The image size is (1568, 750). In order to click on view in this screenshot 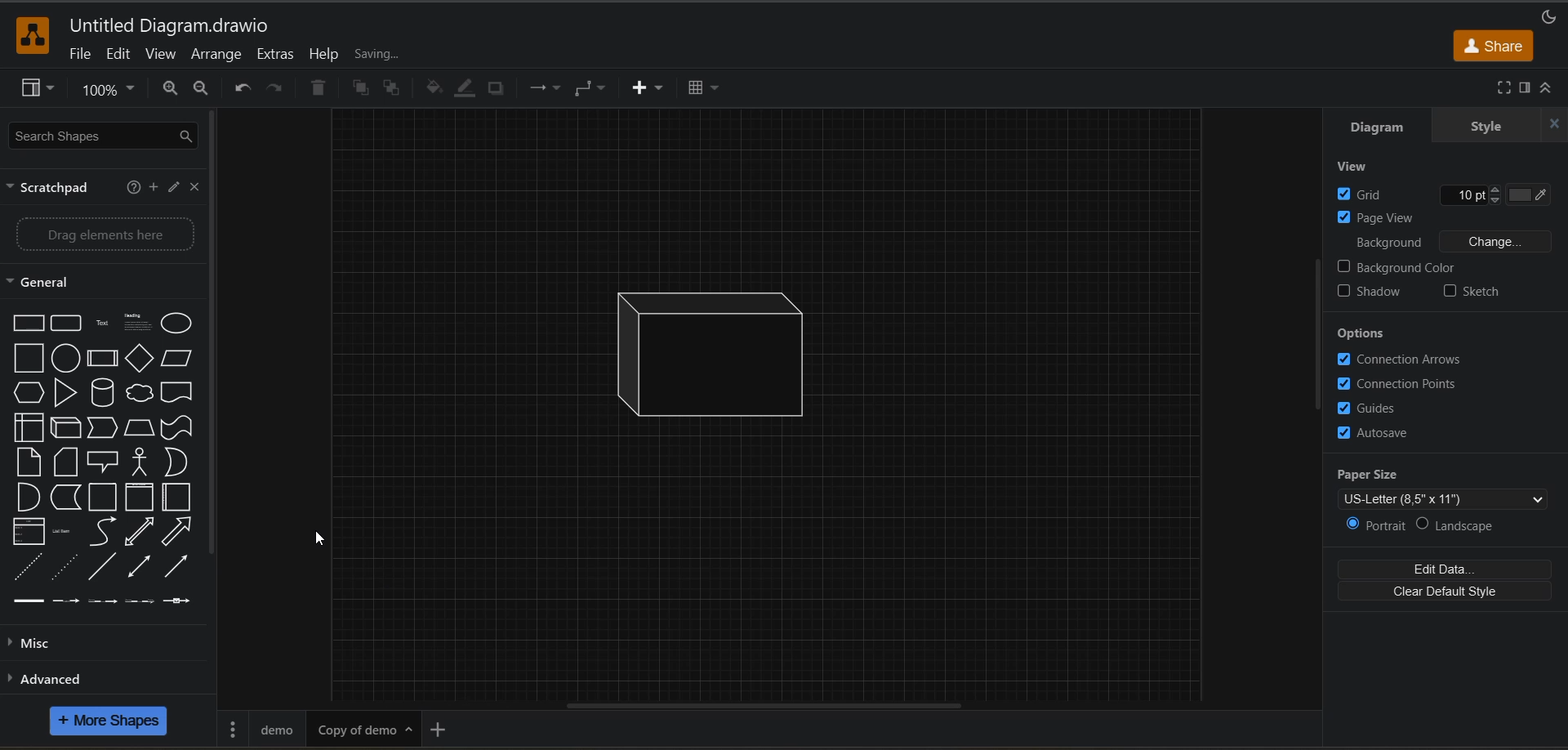, I will do `click(159, 54)`.